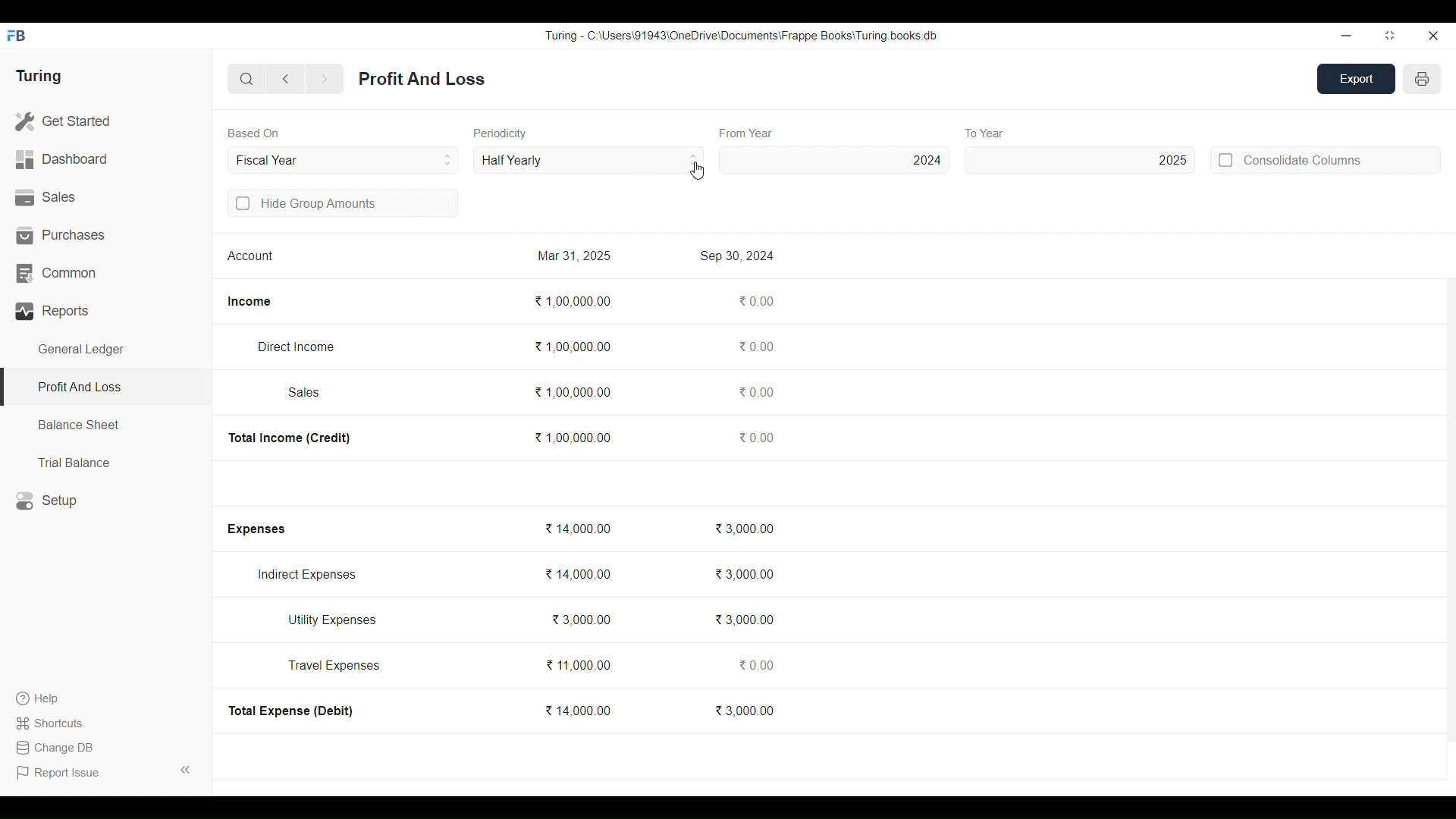 The height and width of the screenshot is (819, 1456). What do you see at coordinates (572, 347) in the screenshot?
I see `1,00,000.00` at bounding box center [572, 347].